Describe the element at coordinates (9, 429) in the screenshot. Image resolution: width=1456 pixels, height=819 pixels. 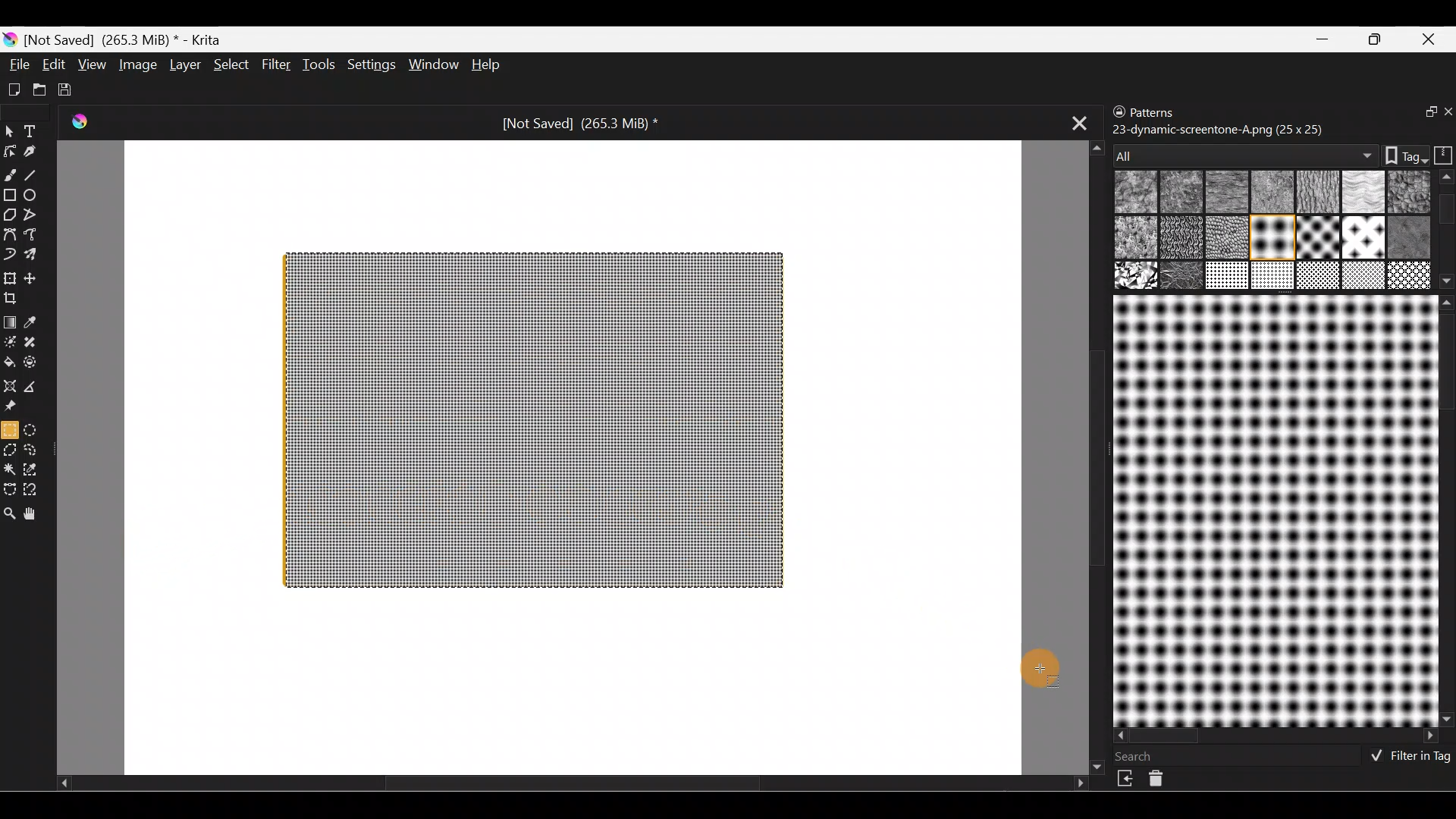
I see `Rectangular selection tool` at that location.